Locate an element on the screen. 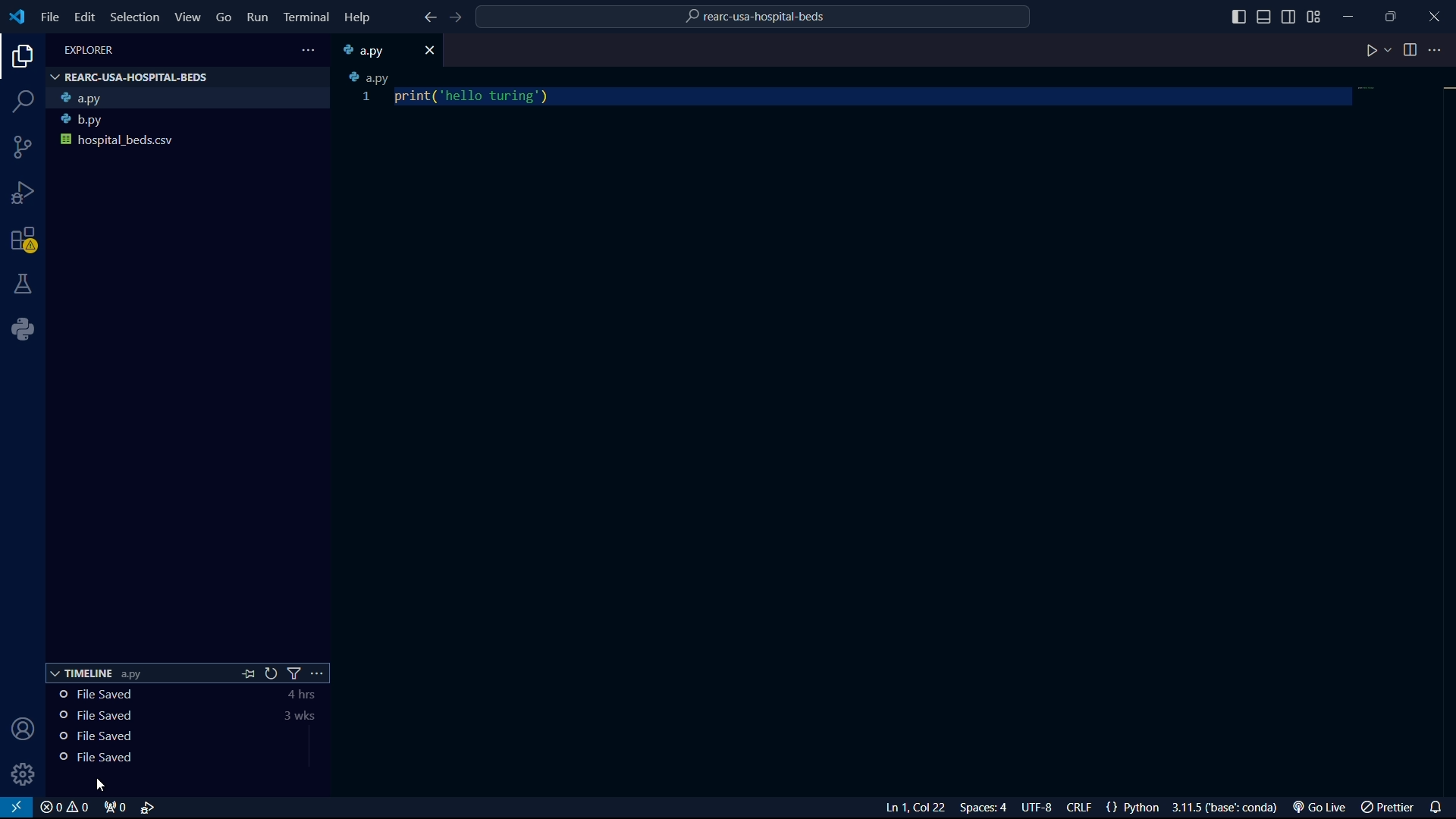 The height and width of the screenshot is (819, 1456). split editor right is located at coordinates (1410, 51).